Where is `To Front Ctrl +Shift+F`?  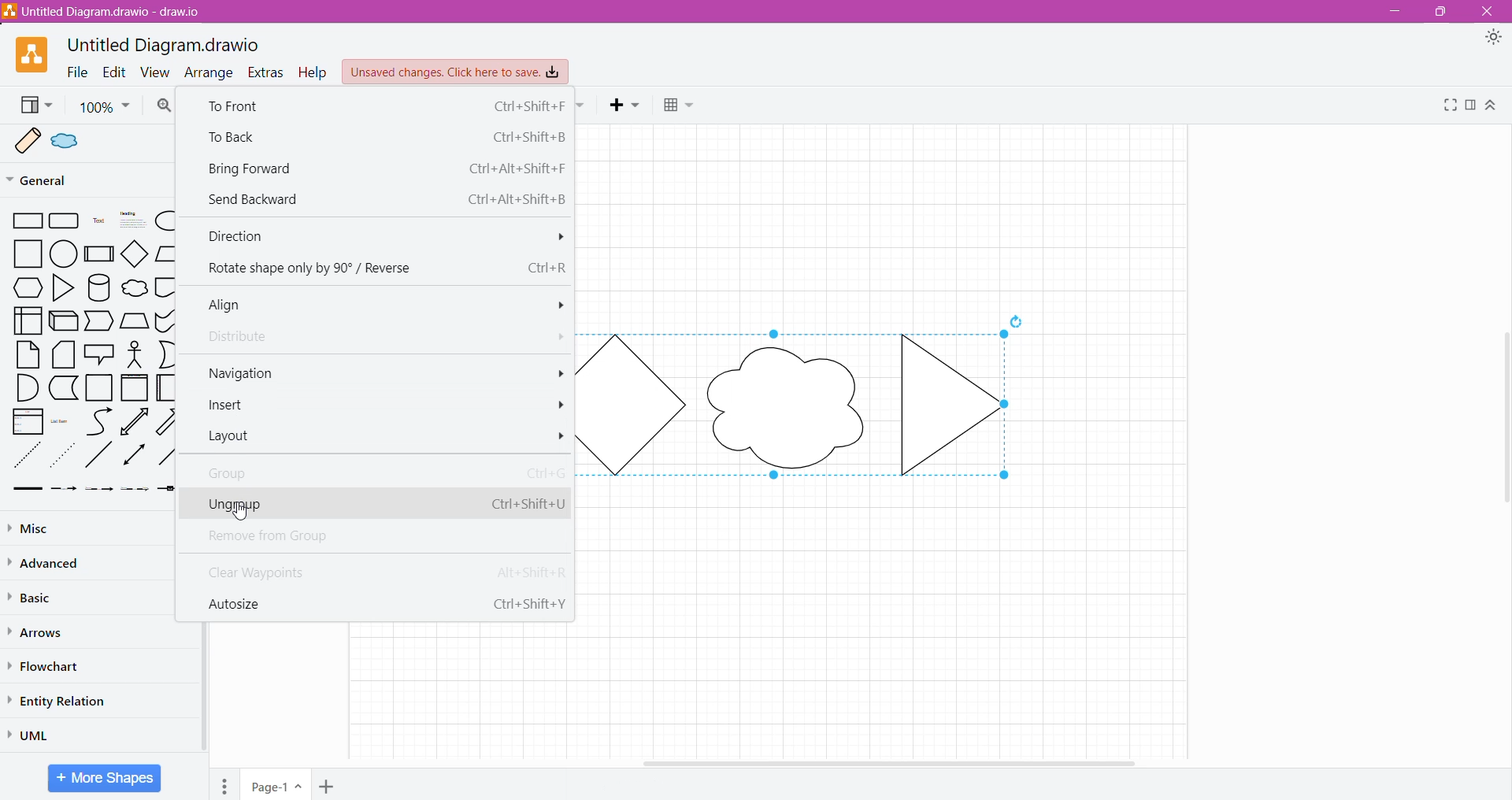
To Front Ctrl +Shift+F is located at coordinates (384, 106).